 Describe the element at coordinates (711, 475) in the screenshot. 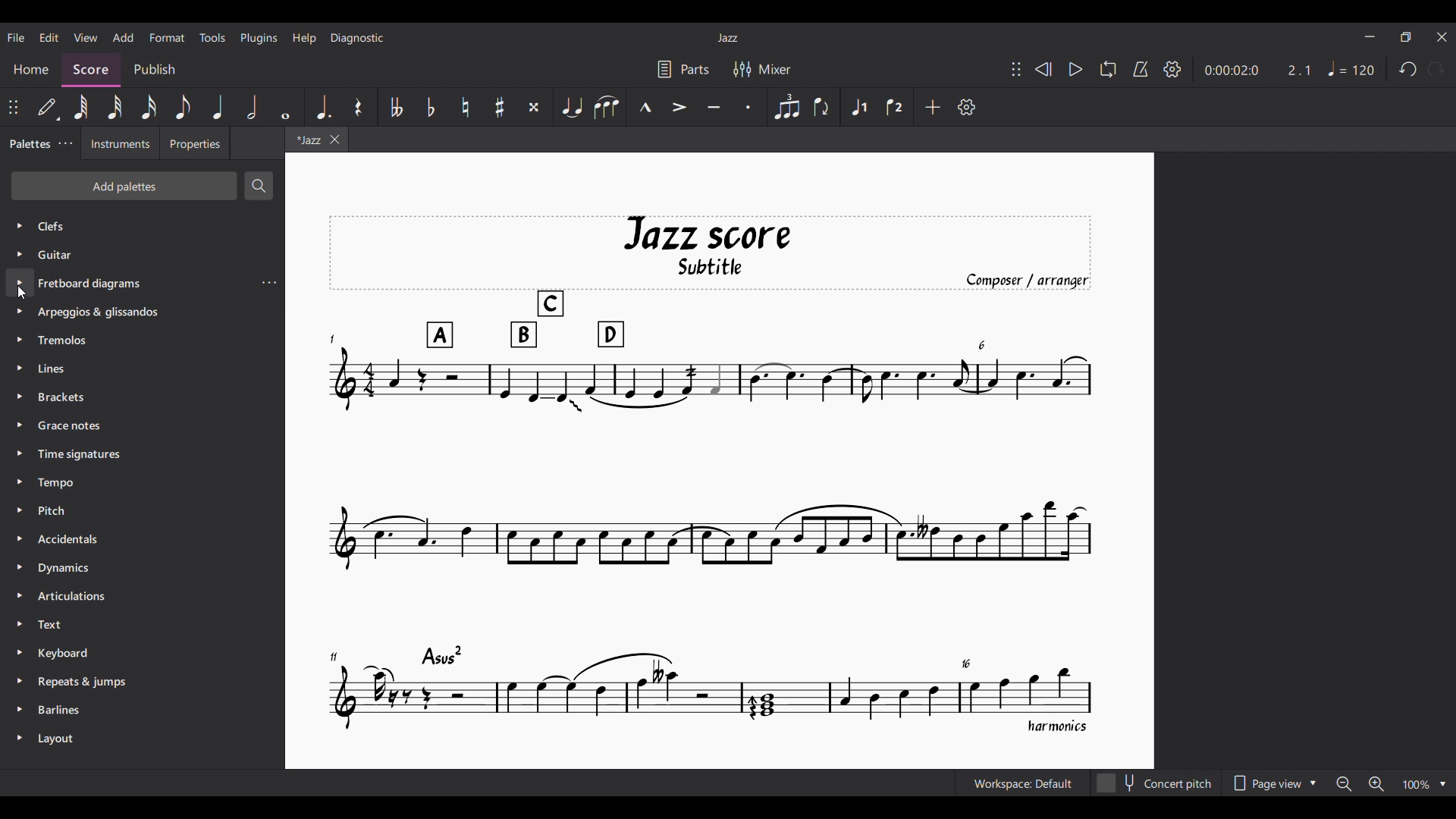

I see `Current score` at that location.